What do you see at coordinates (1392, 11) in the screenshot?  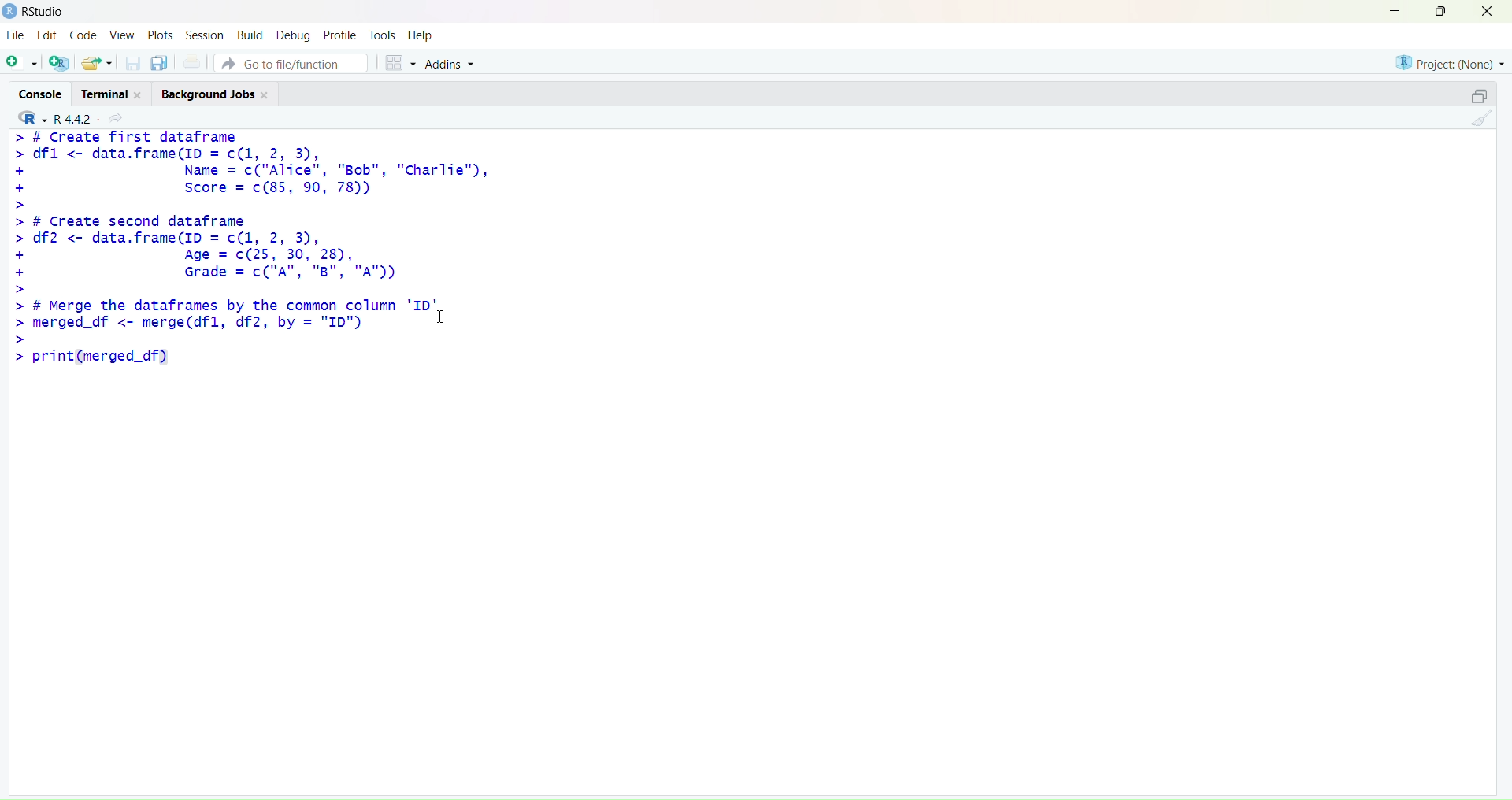 I see `minimize` at bounding box center [1392, 11].